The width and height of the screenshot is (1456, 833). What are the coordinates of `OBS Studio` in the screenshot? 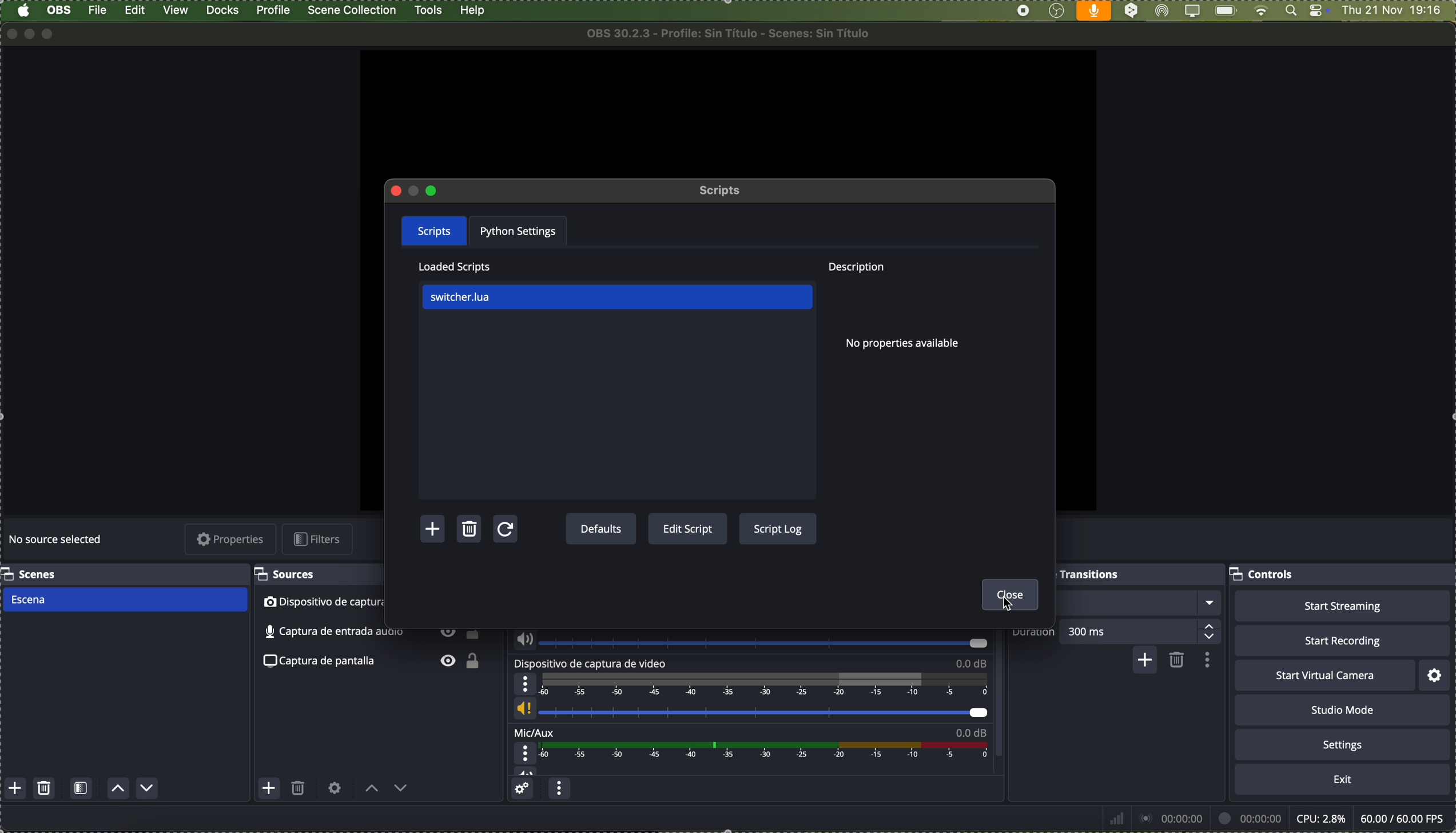 It's located at (1056, 11).